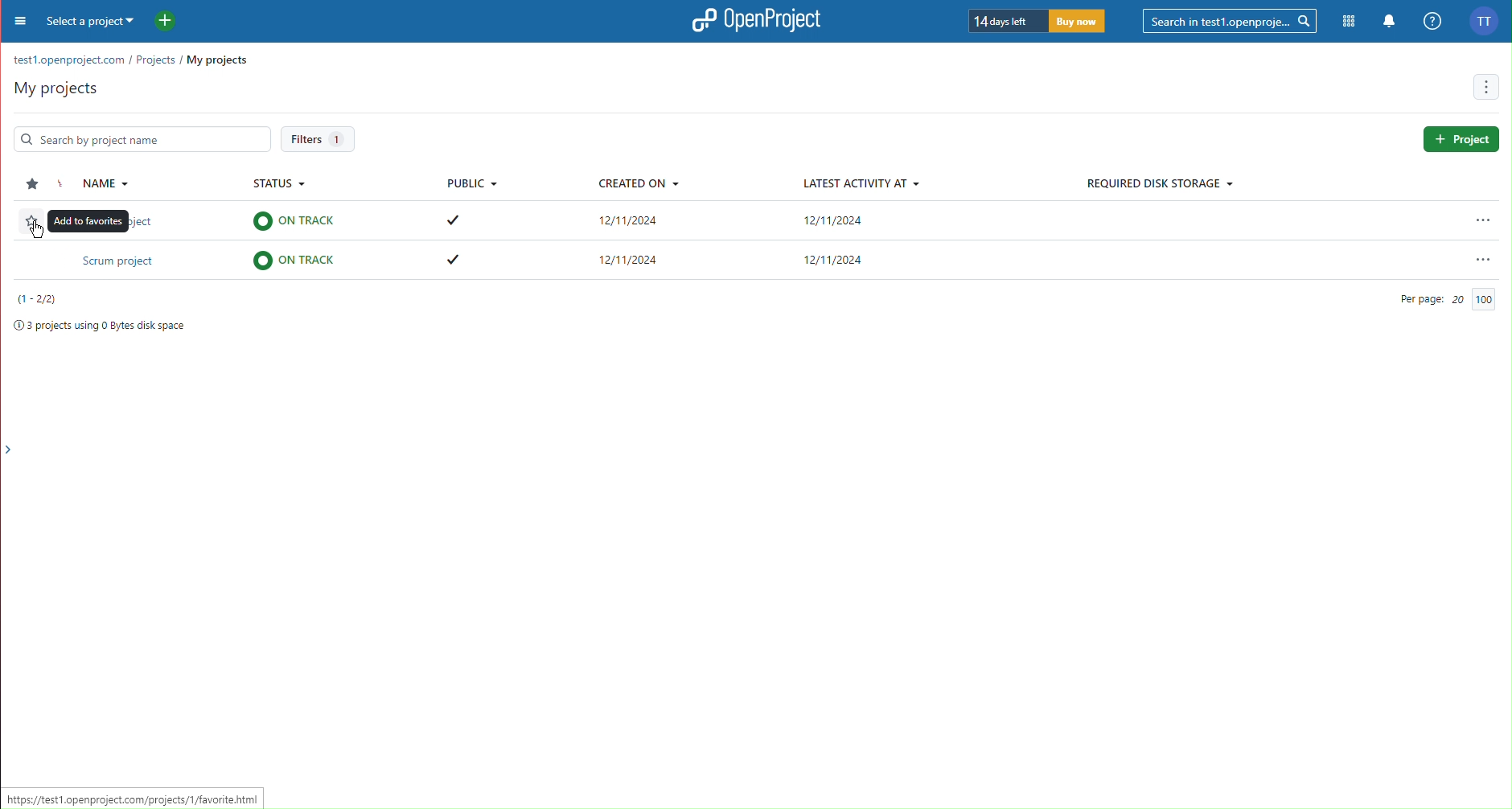 This screenshot has height=809, width=1512. What do you see at coordinates (1231, 19) in the screenshot?
I see `Search War` at bounding box center [1231, 19].